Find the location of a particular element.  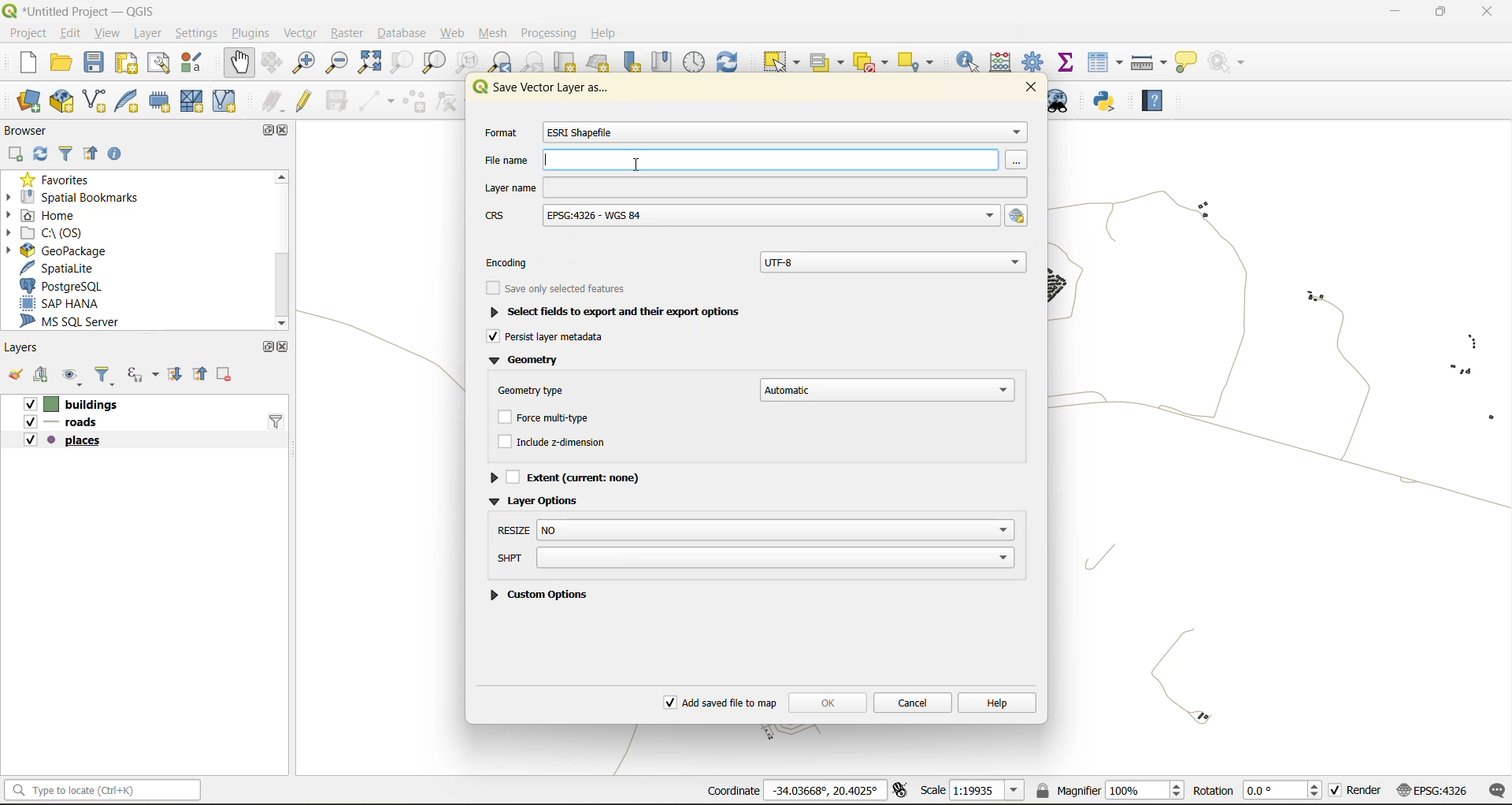

2-dimension is located at coordinates (564, 444).